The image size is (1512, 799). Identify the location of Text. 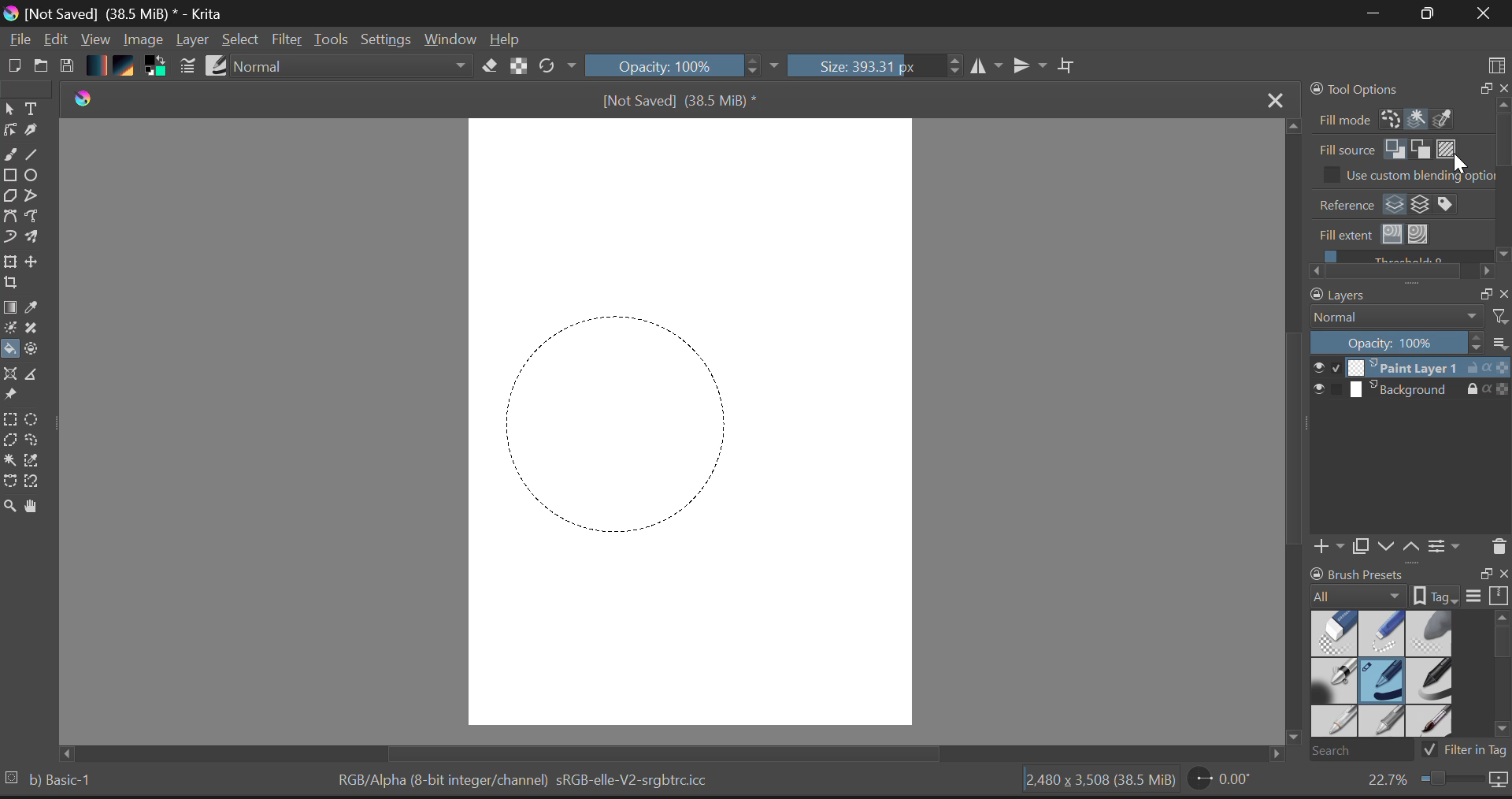
(32, 109).